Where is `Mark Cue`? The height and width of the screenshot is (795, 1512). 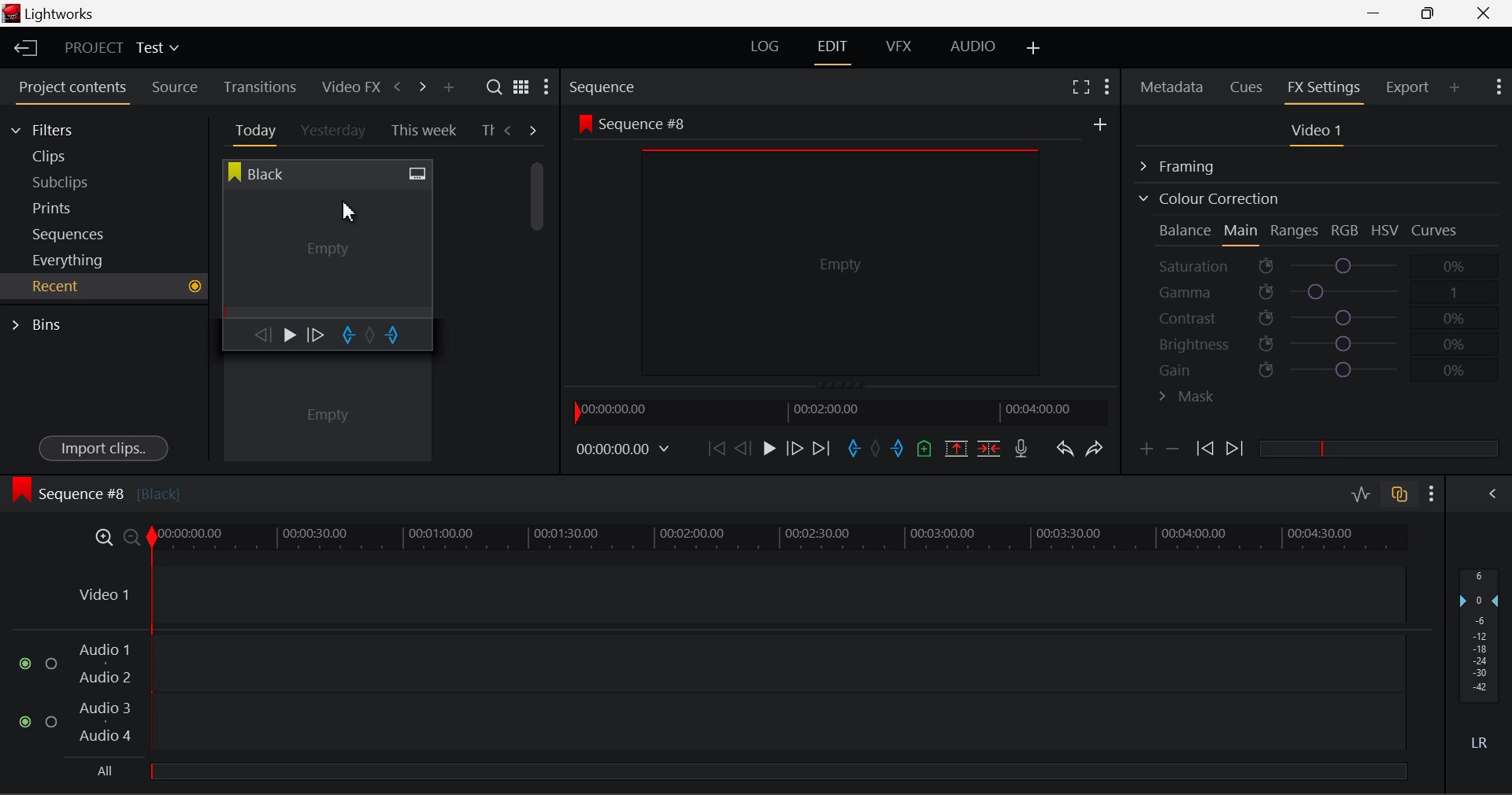
Mark Cue is located at coordinates (923, 449).